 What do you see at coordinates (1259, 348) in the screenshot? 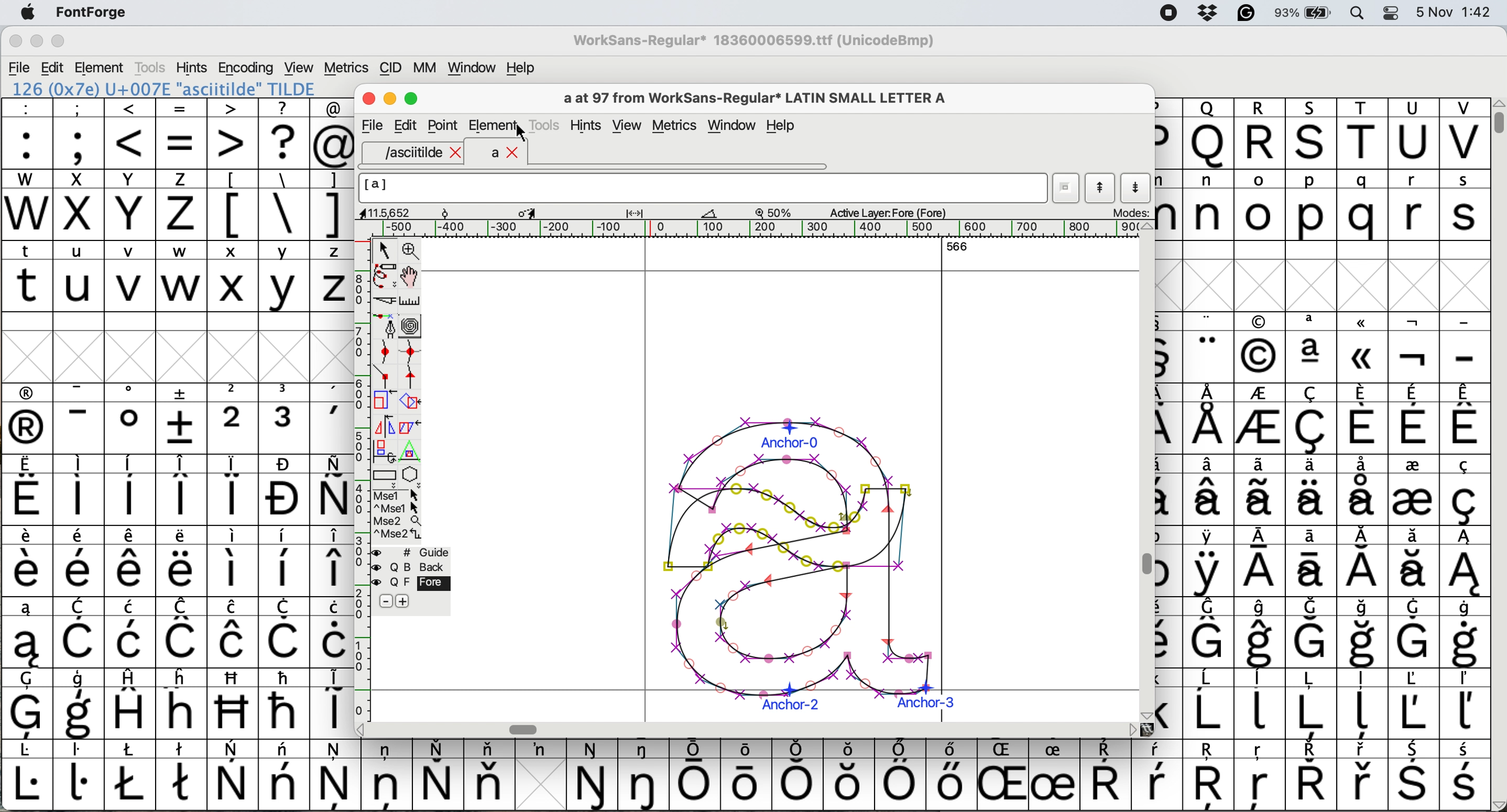
I see `` at bounding box center [1259, 348].